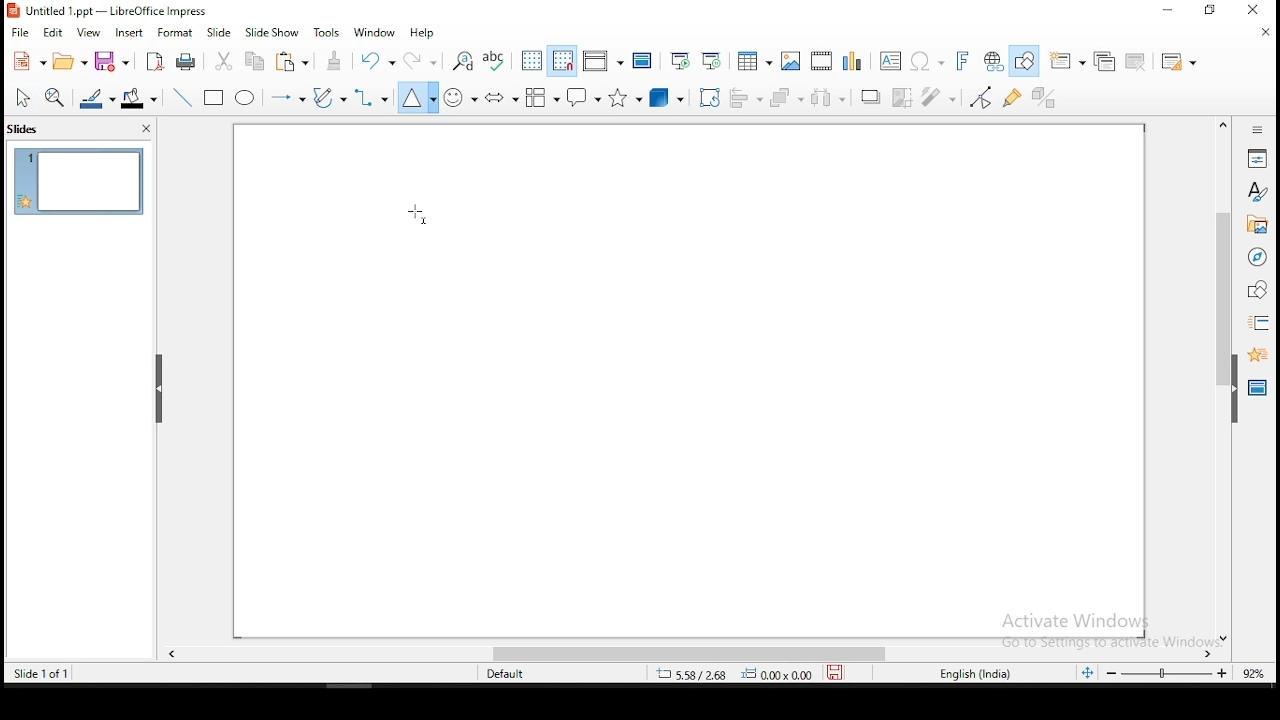 The image size is (1280, 720). What do you see at coordinates (215, 99) in the screenshot?
I see `rectangle` at bounding box center [215, 99].